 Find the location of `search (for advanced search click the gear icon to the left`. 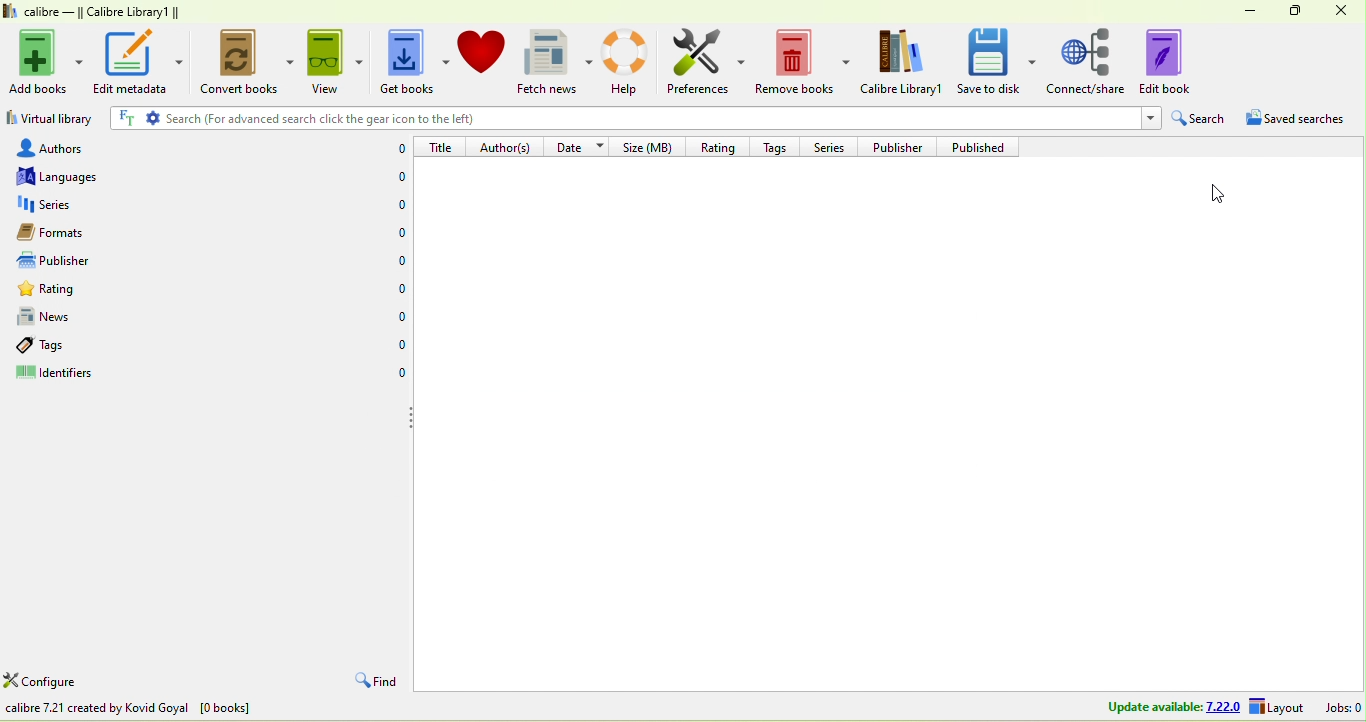

search (for advanced search click the gear icon to the left is located at coordinates (631, 120).